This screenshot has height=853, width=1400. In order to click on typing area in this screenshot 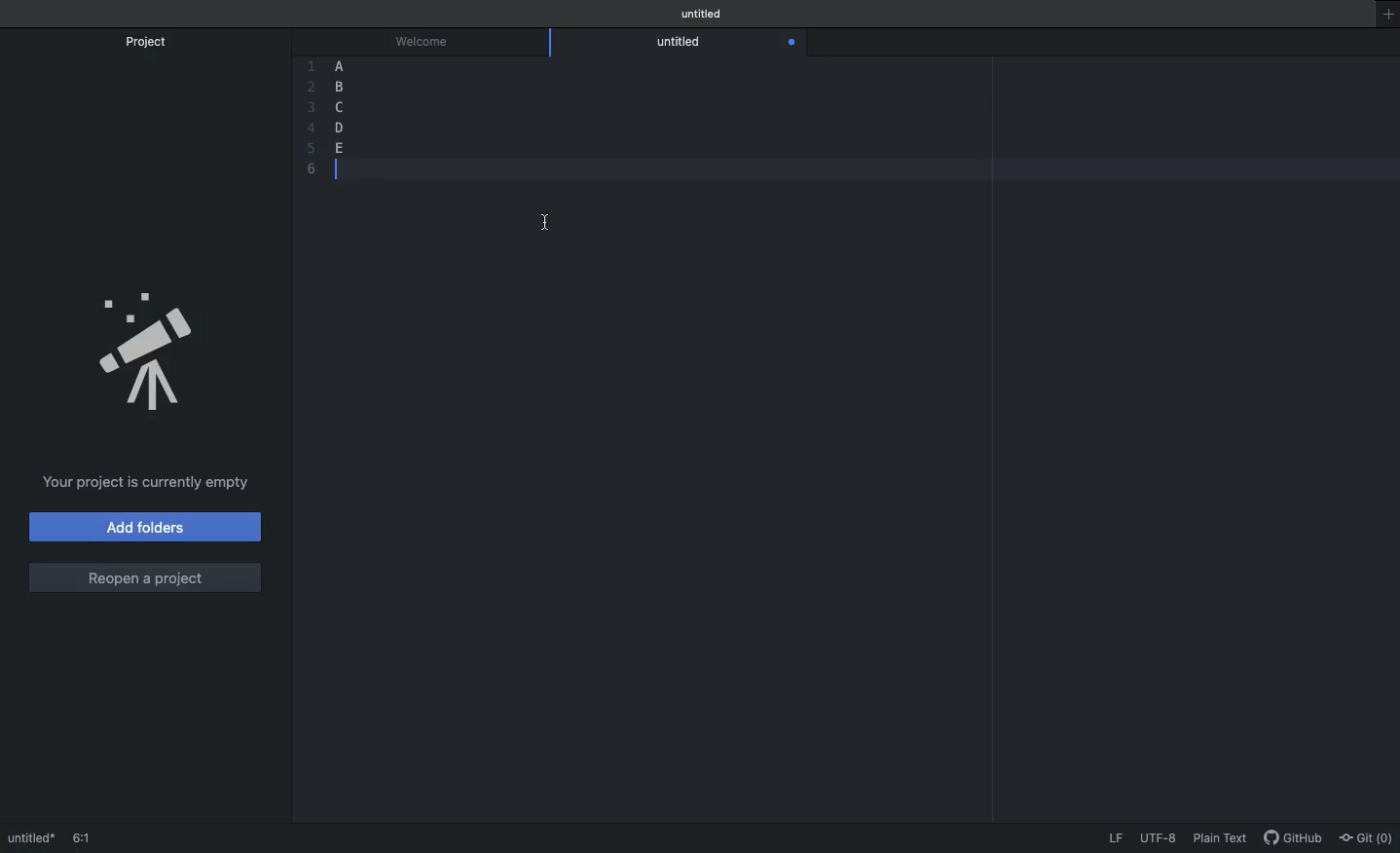, I will do `click(863, 170)`.